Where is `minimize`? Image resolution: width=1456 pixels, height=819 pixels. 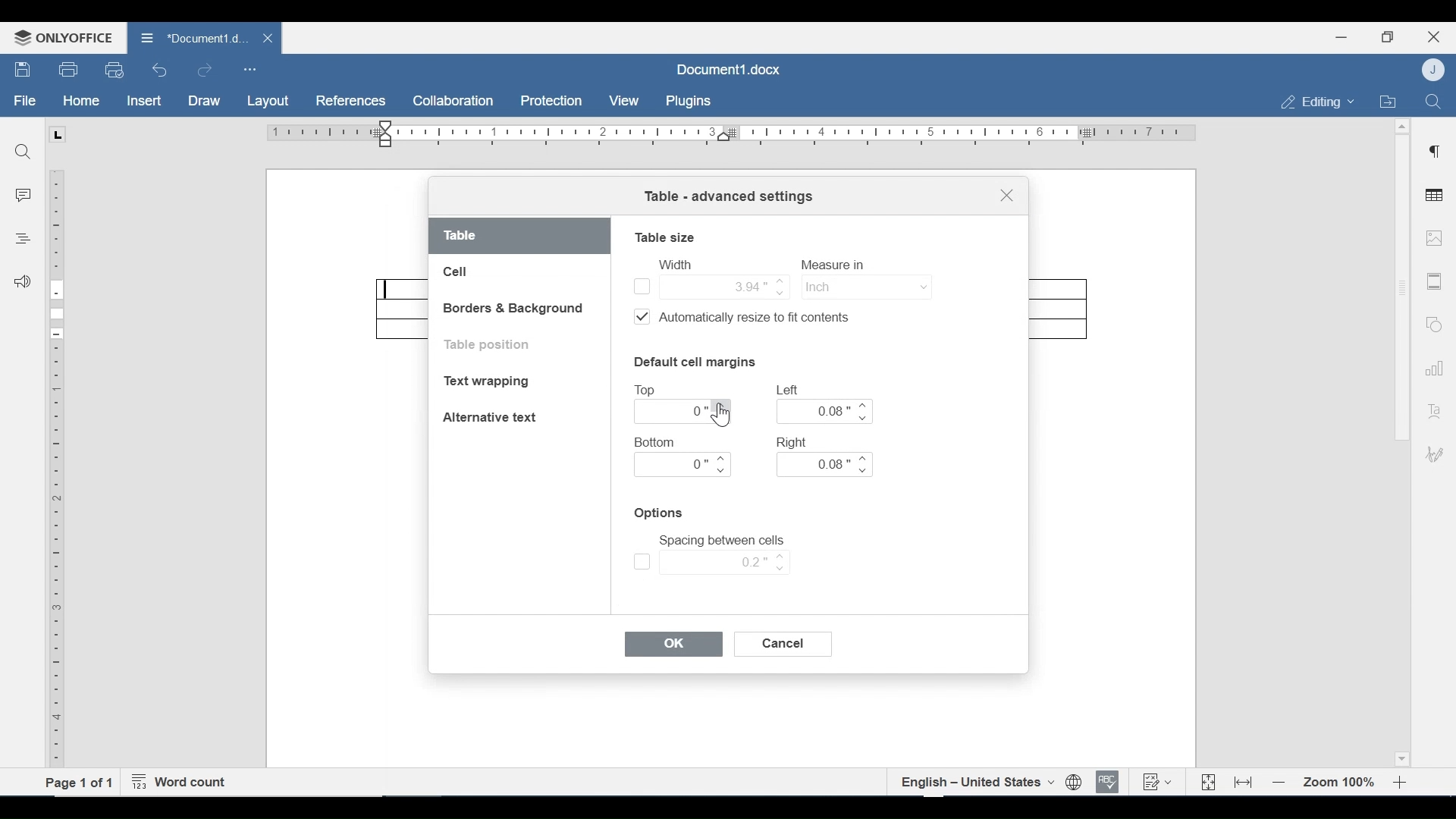 minimize is located at coordinates (1341, 36).